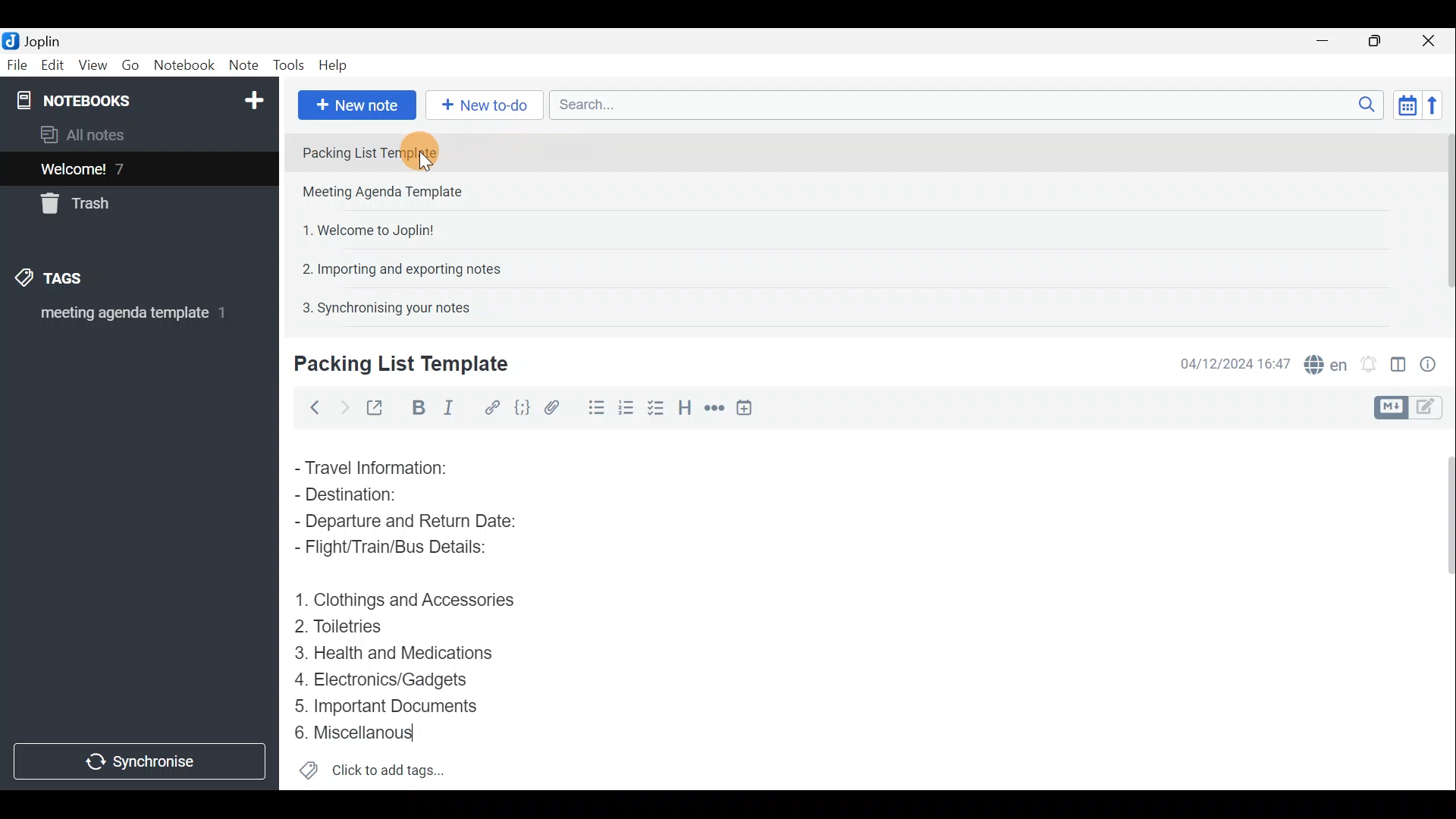 This screenshot has height=819, width=1456. Describe the element at coordinates (1442, 607) in the screenshot. I see `Scroll bar` at that location.